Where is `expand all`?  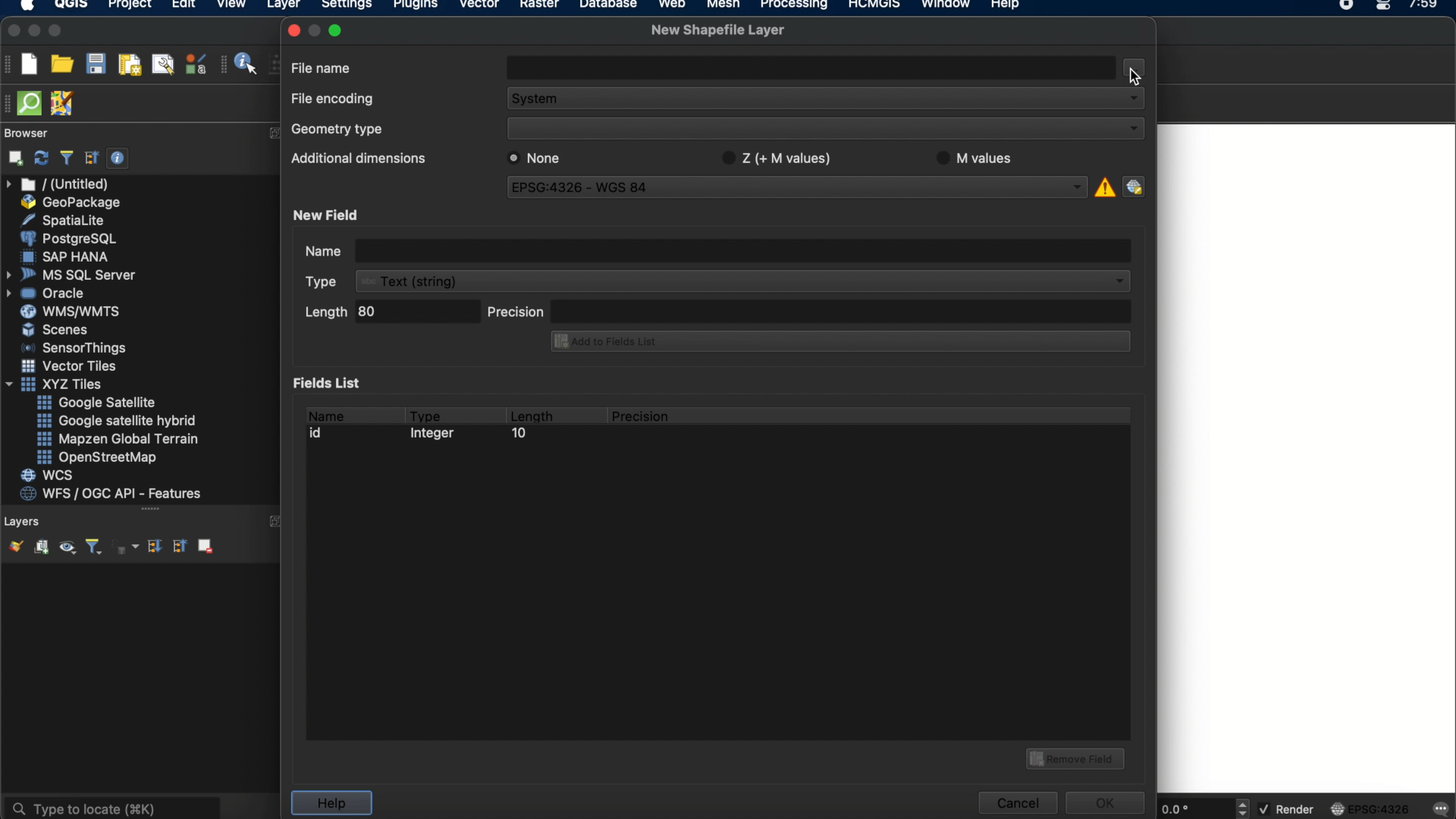 expand all is located at coordinates (152, 547).